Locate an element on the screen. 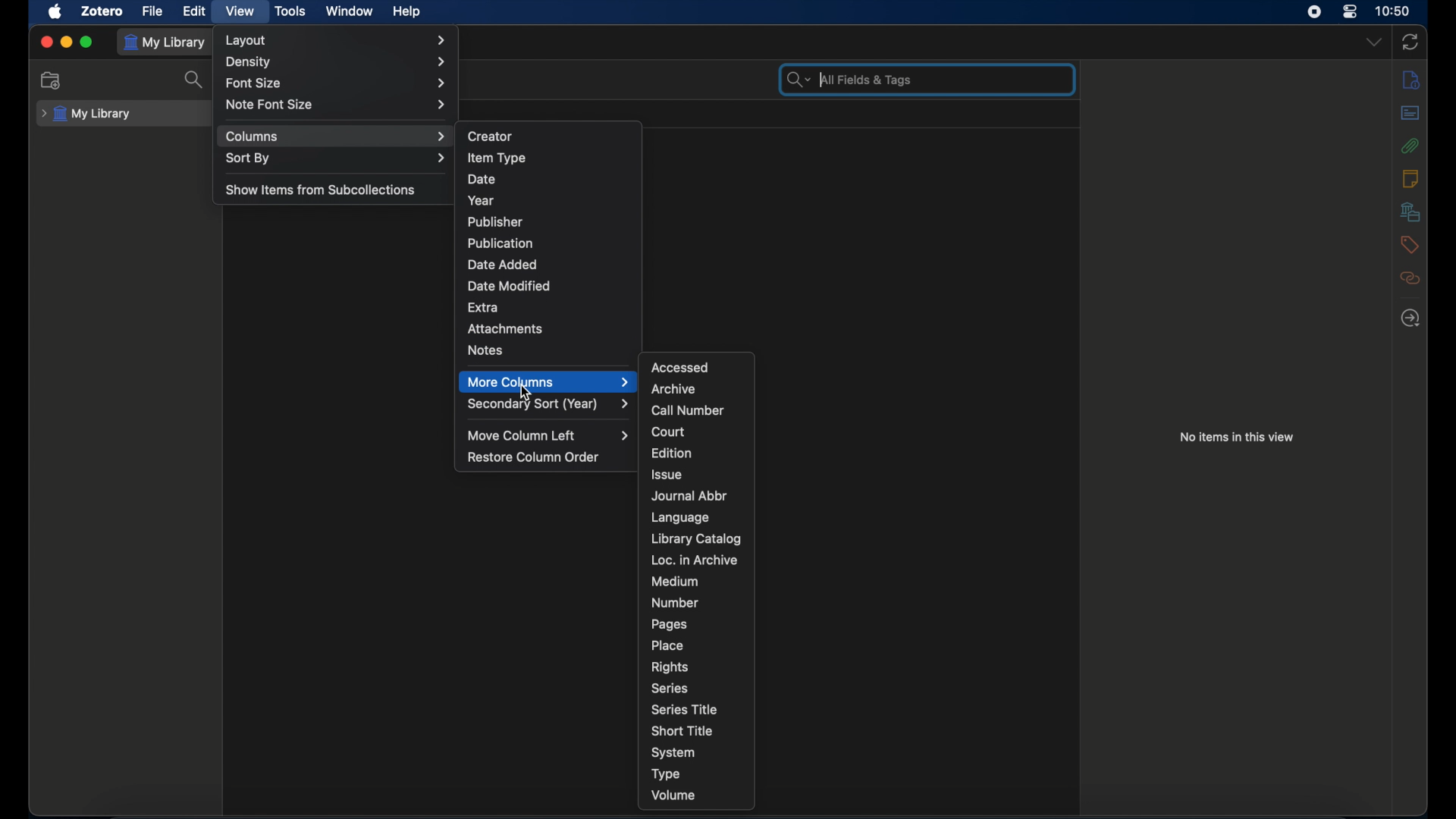 The image size is (1456, 819). extra is located at coordinates (484, 307).